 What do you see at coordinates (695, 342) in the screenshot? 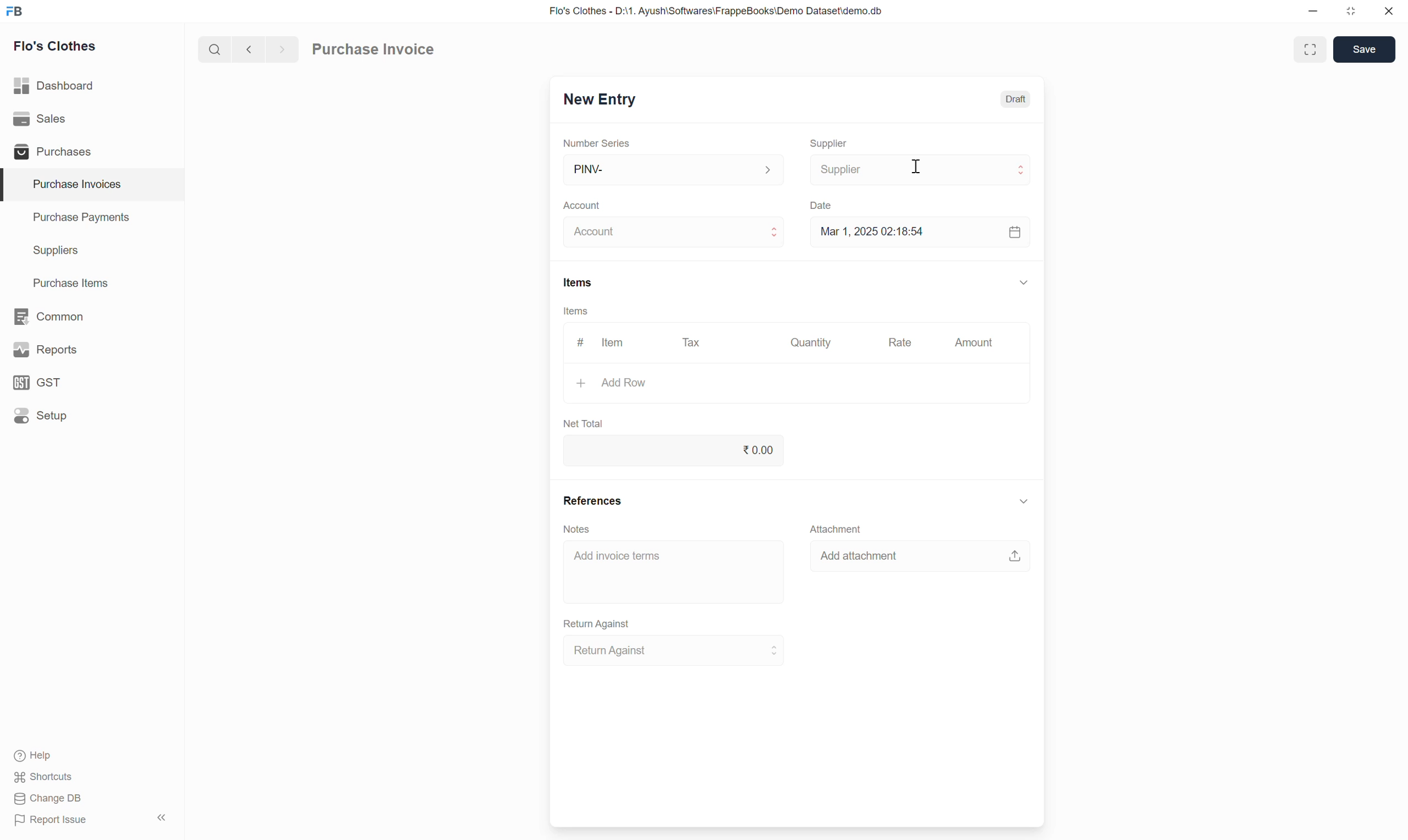
I see `Tax` at bounding box center [695, 342].